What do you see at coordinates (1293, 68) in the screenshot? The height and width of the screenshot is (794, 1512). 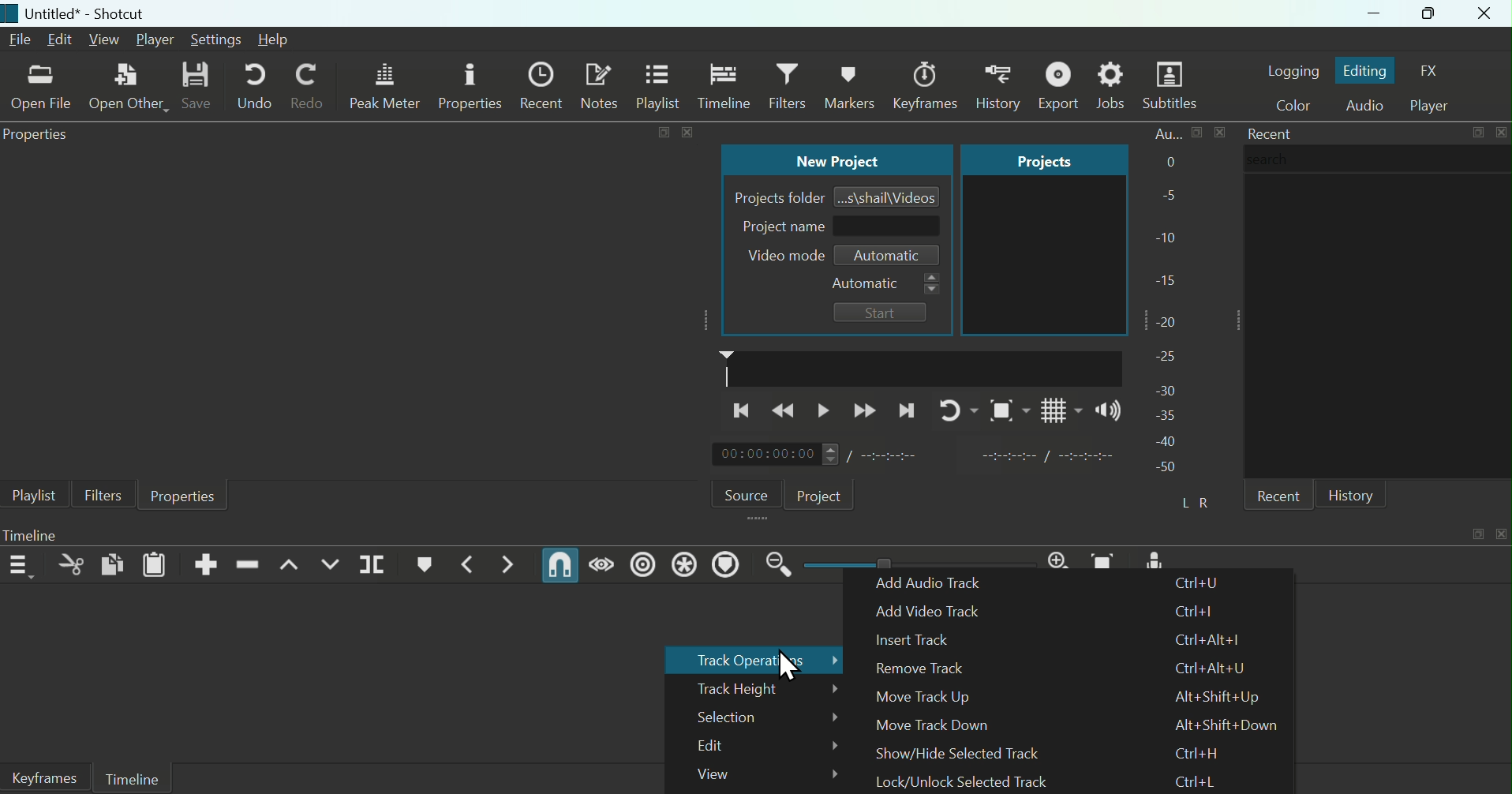 I see `Logging` at bounding box center [1293, 68].